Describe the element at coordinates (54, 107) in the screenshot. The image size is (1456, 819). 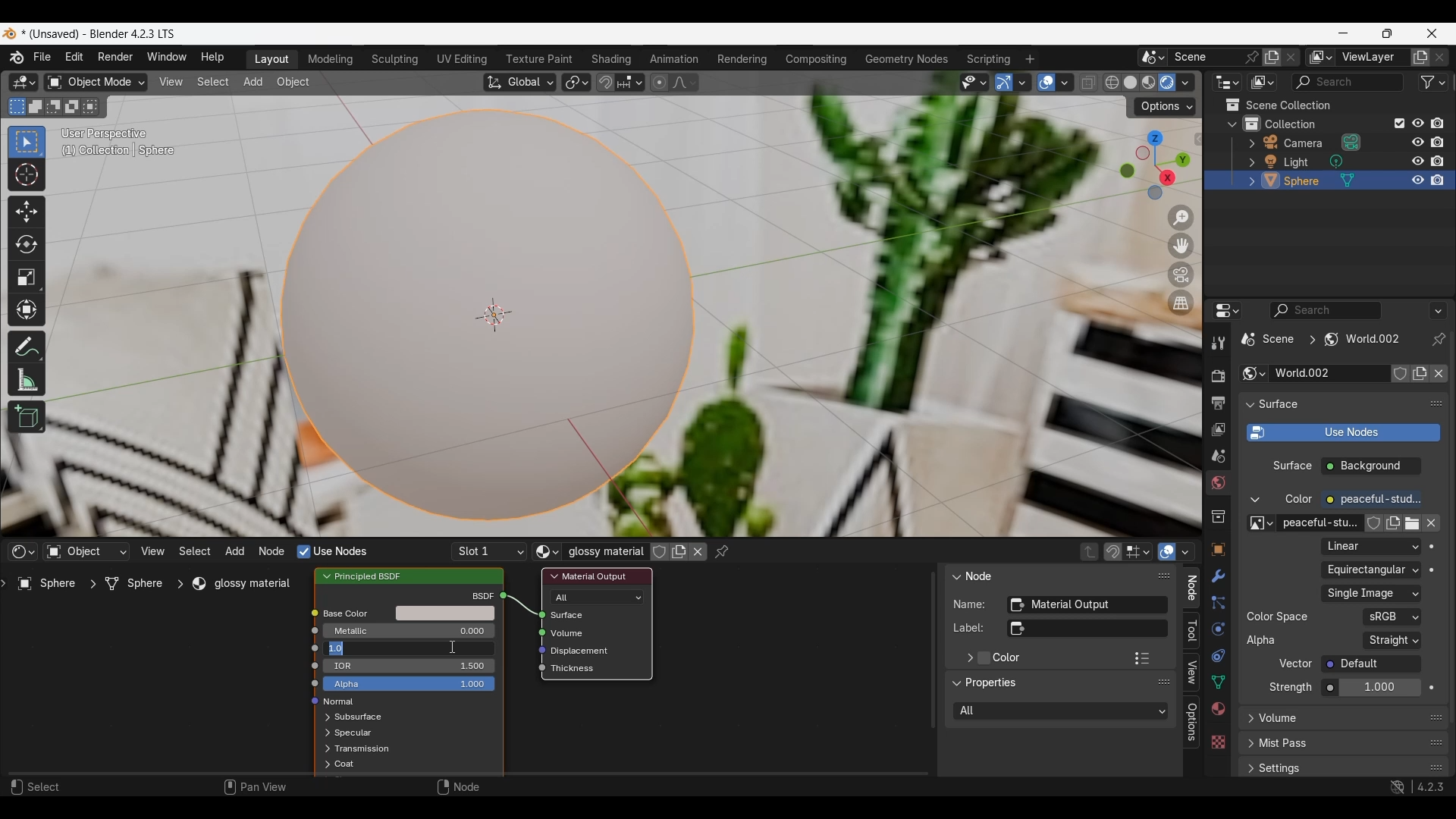
I see `Subtract existing selection` at that location.